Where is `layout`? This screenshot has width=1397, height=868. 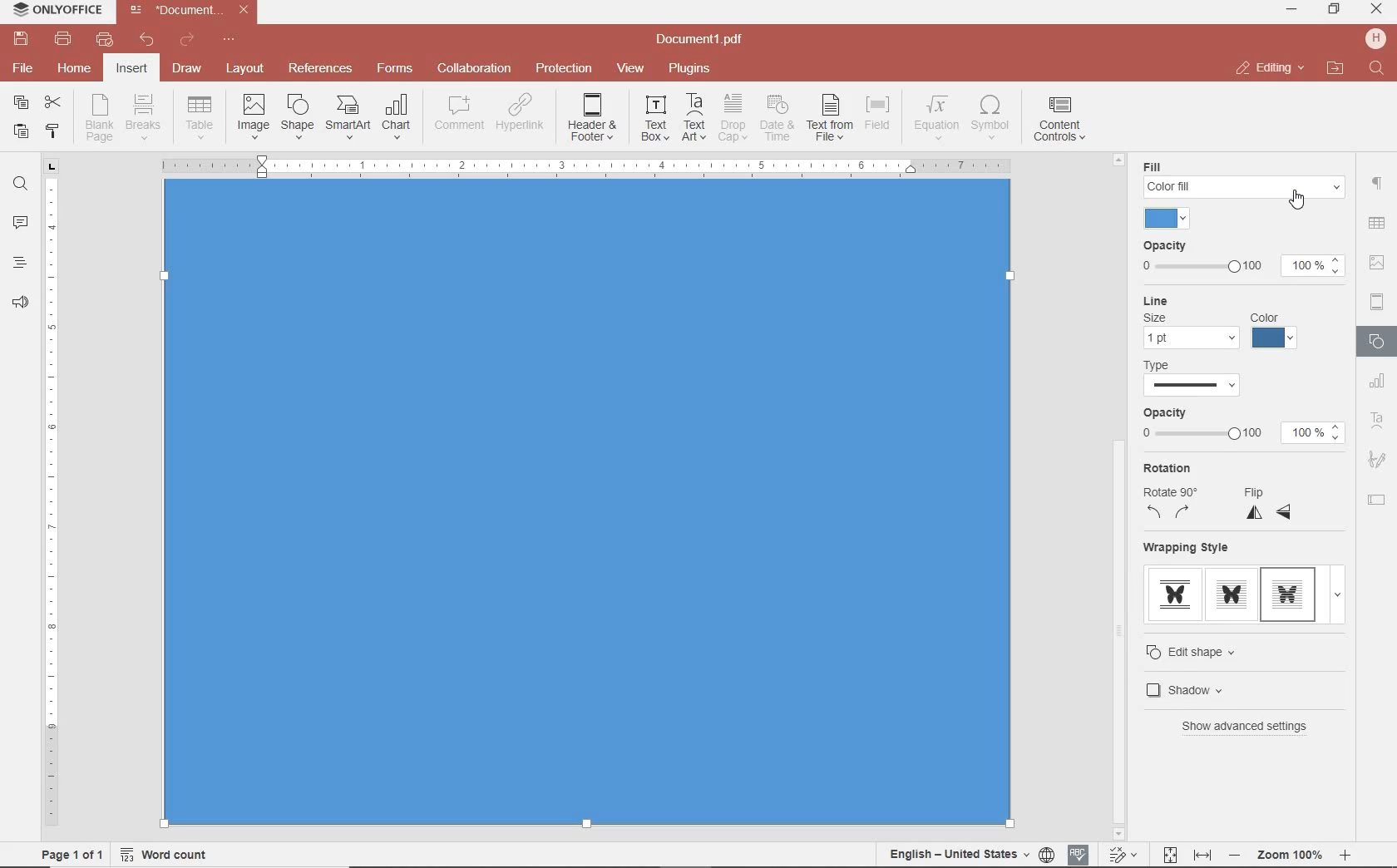 layout is located at coordinates (248, 70).